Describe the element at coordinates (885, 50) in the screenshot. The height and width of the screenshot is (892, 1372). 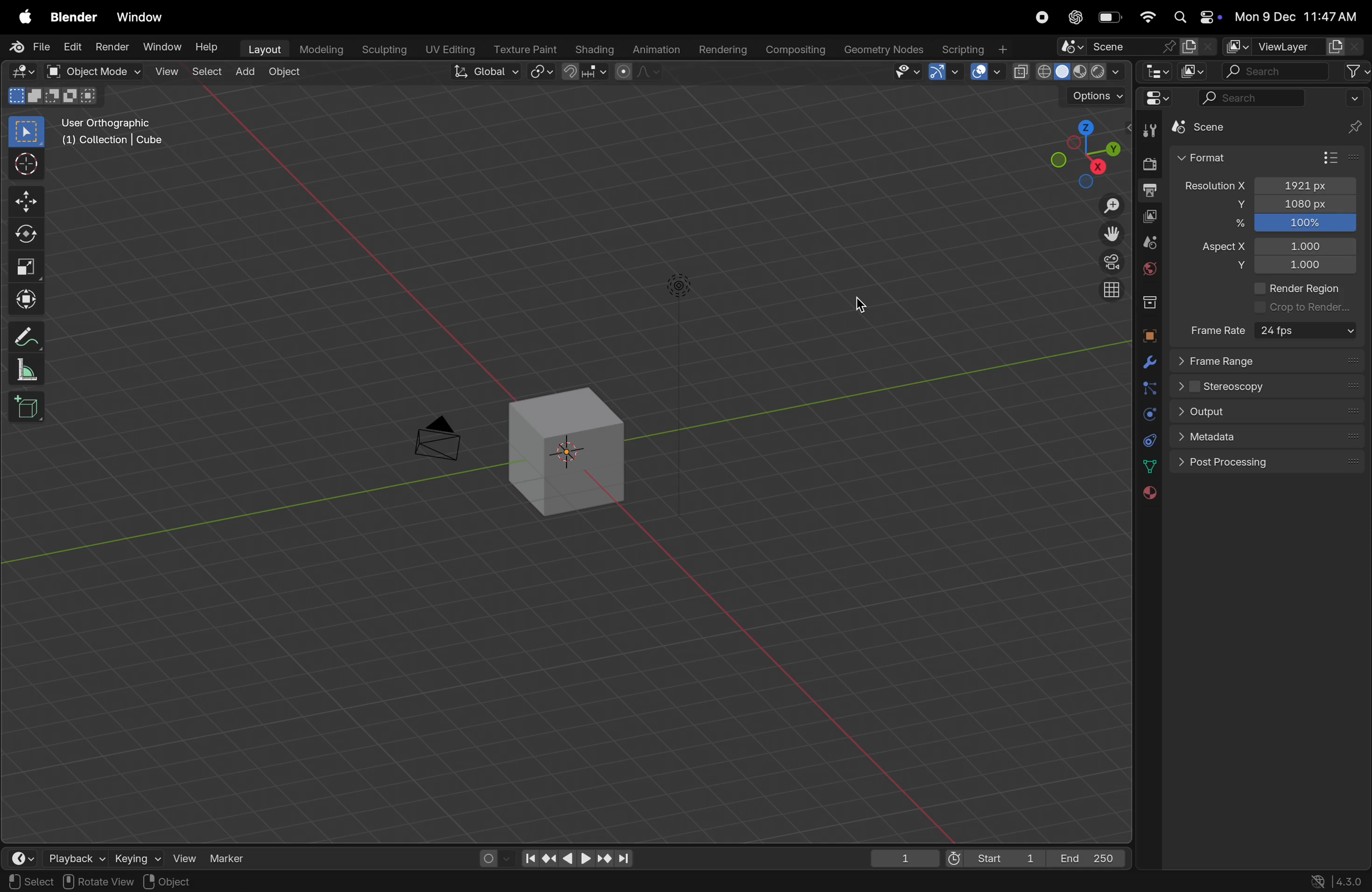
I see `Geometry nodes` at that location.